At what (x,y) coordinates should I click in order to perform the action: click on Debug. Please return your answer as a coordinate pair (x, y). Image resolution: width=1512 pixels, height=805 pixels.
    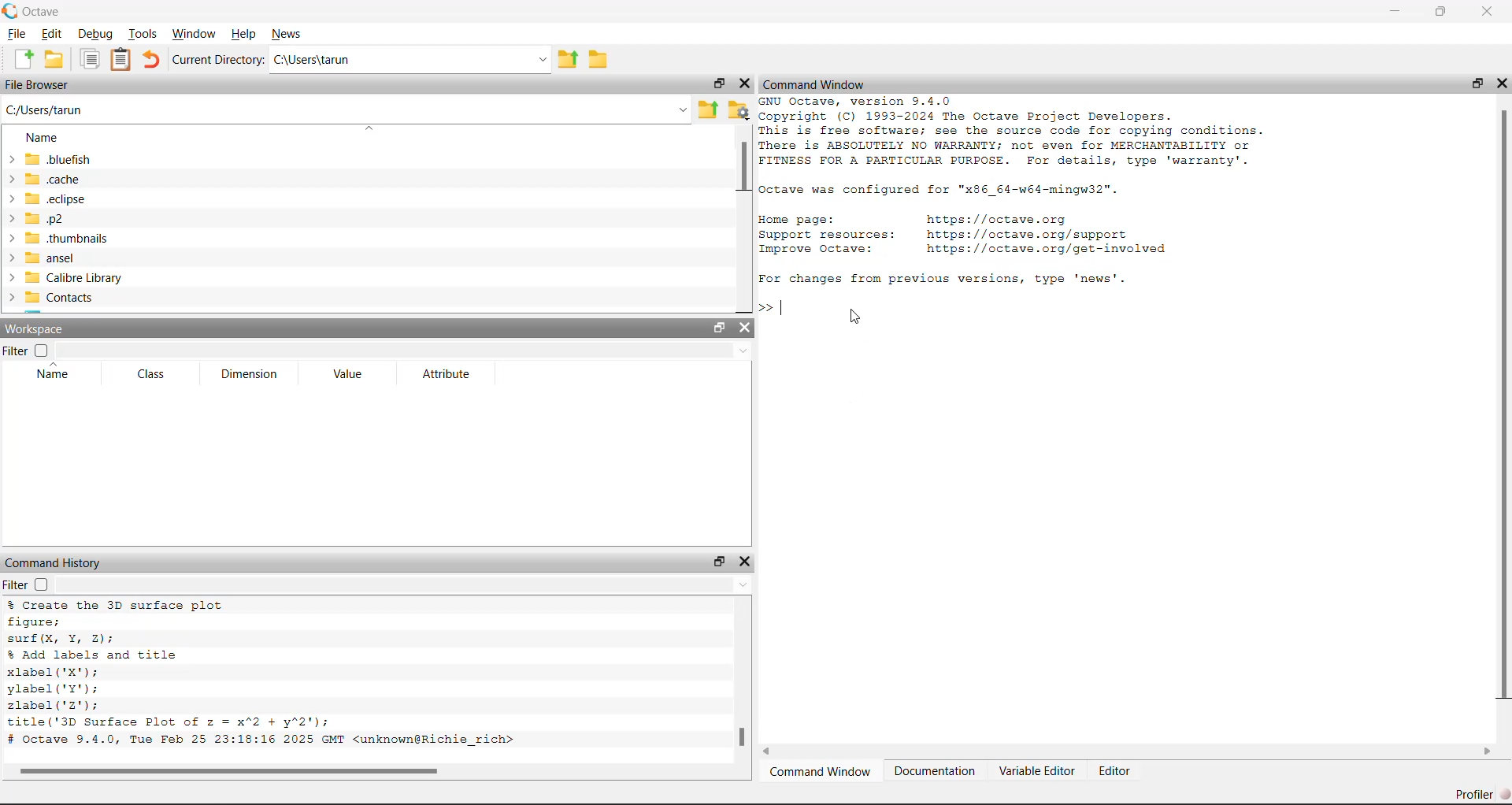
    Looking at the image, I should click on (95, 33).